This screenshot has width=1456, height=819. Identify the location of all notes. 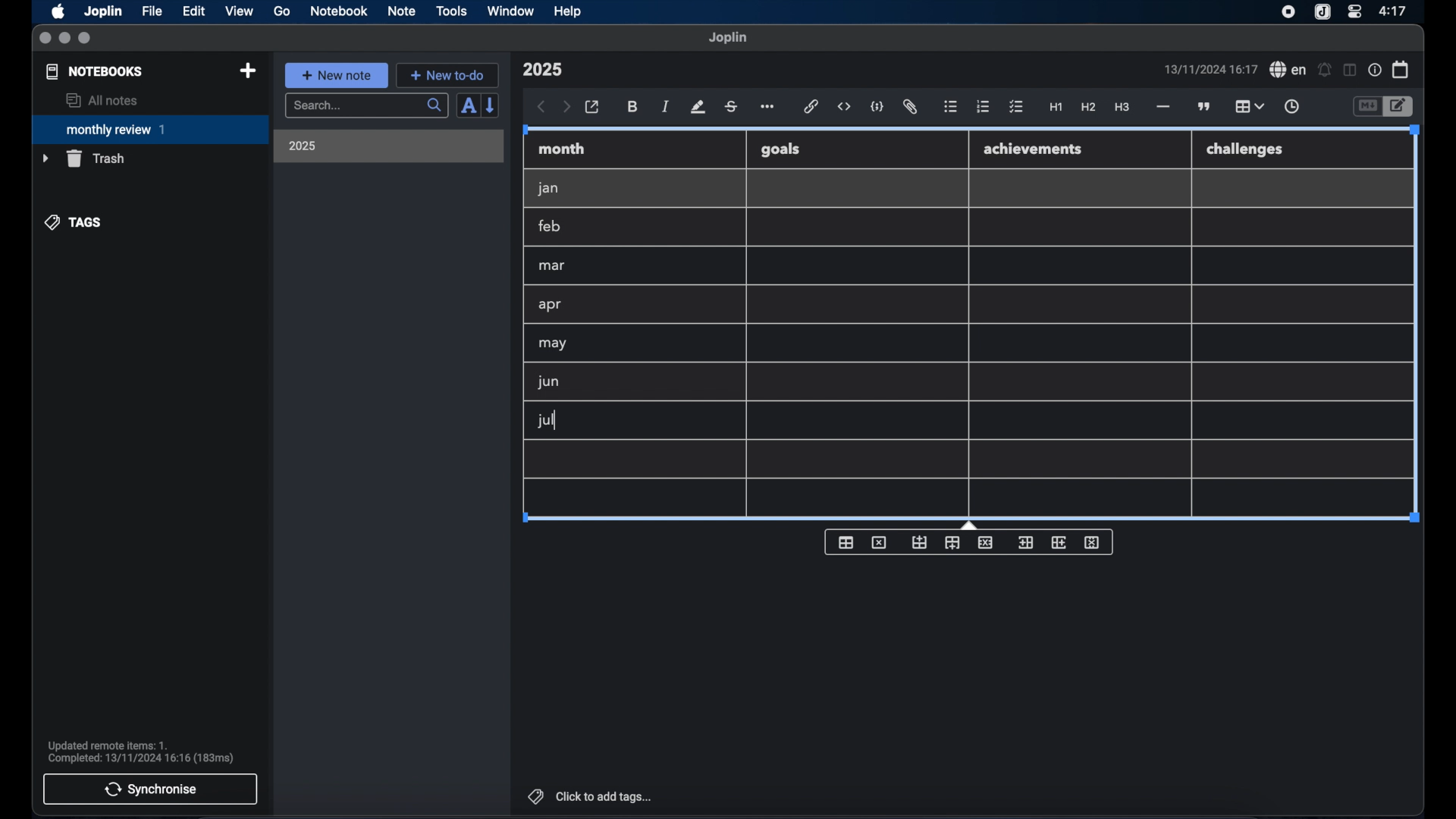
(102, 100).